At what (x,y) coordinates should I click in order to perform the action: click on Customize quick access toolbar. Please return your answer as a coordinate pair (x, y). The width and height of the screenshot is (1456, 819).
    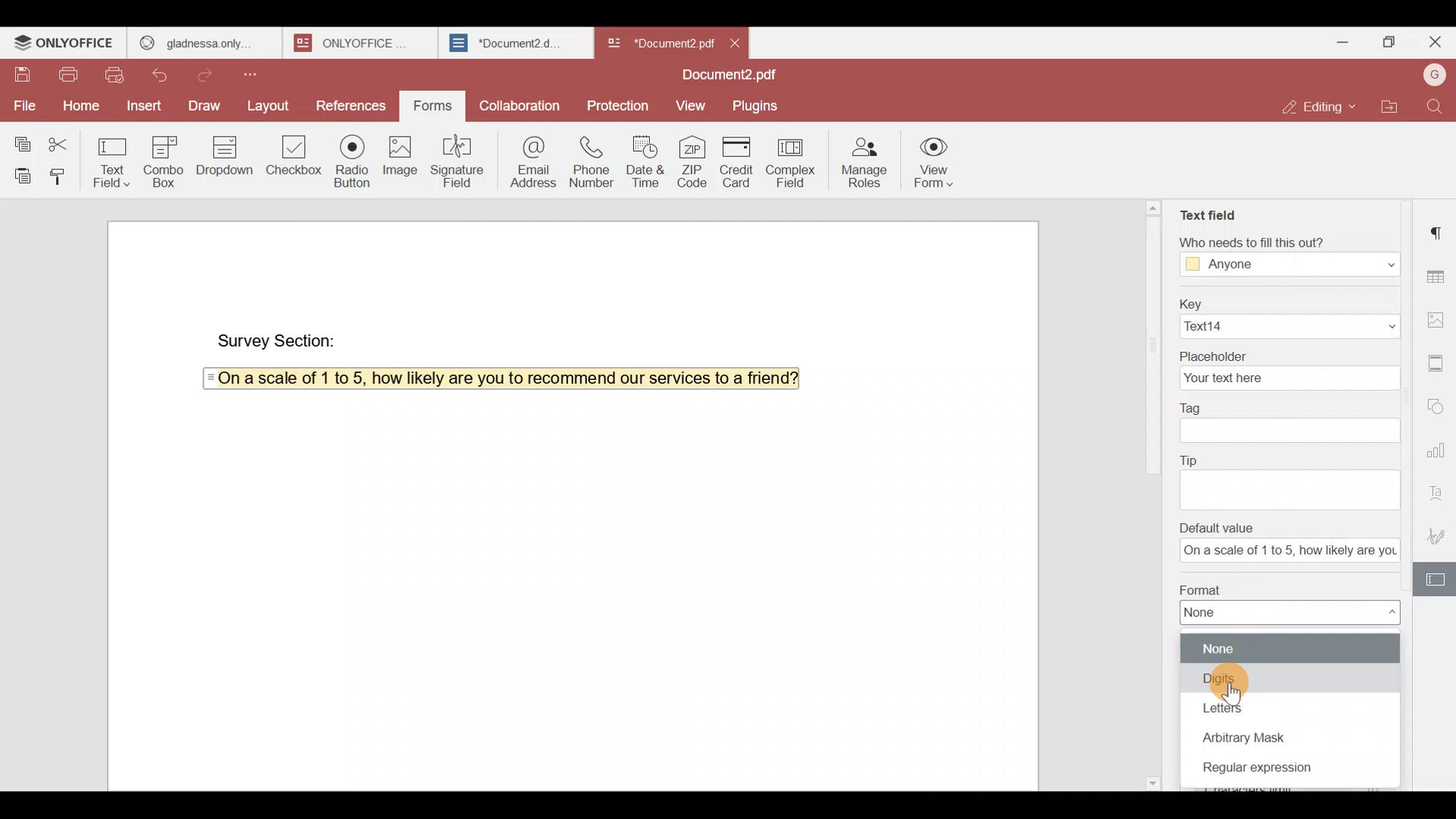
    Looking at the image, I should click on (265, 73).